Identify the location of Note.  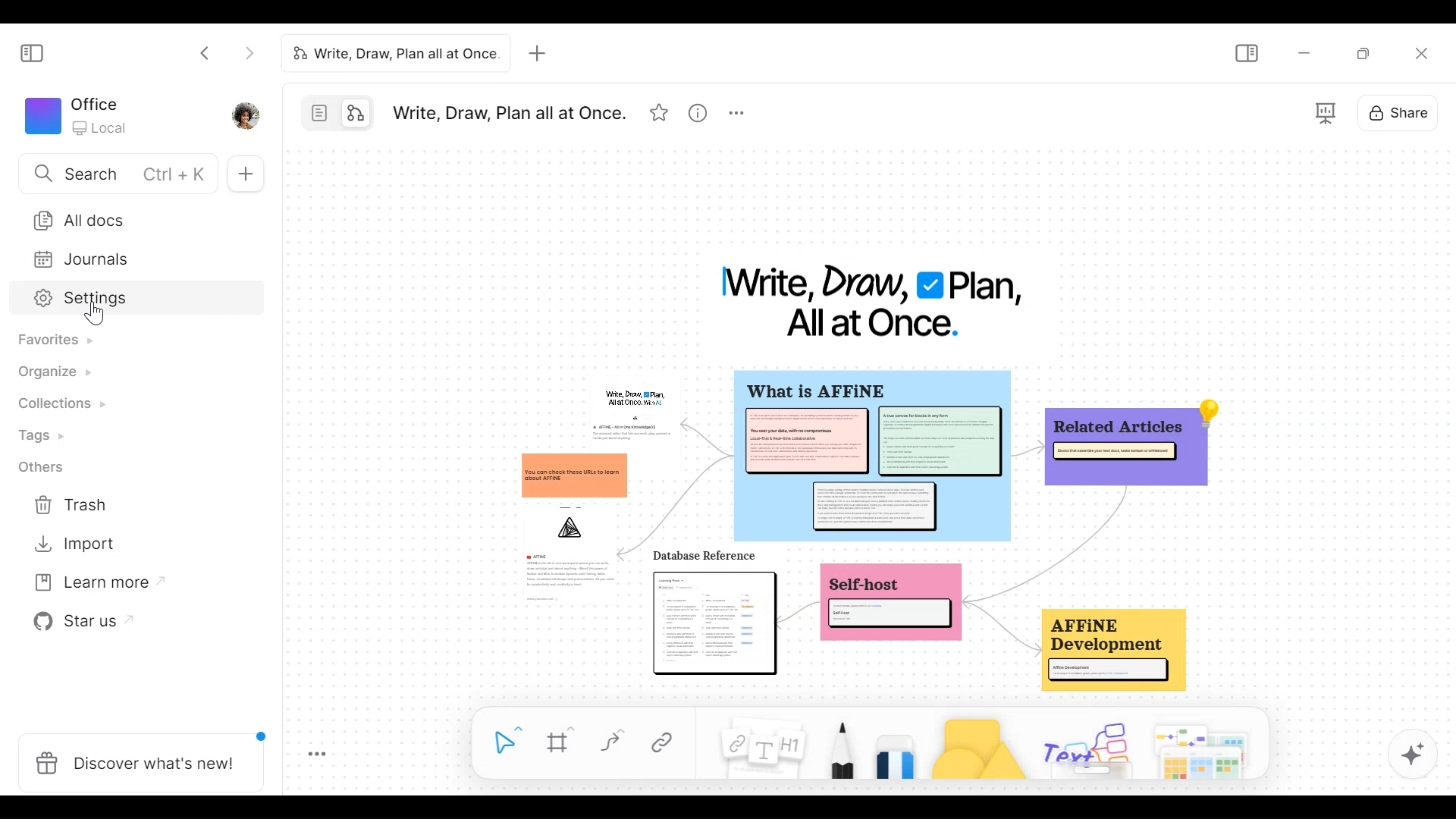
(761, 752).